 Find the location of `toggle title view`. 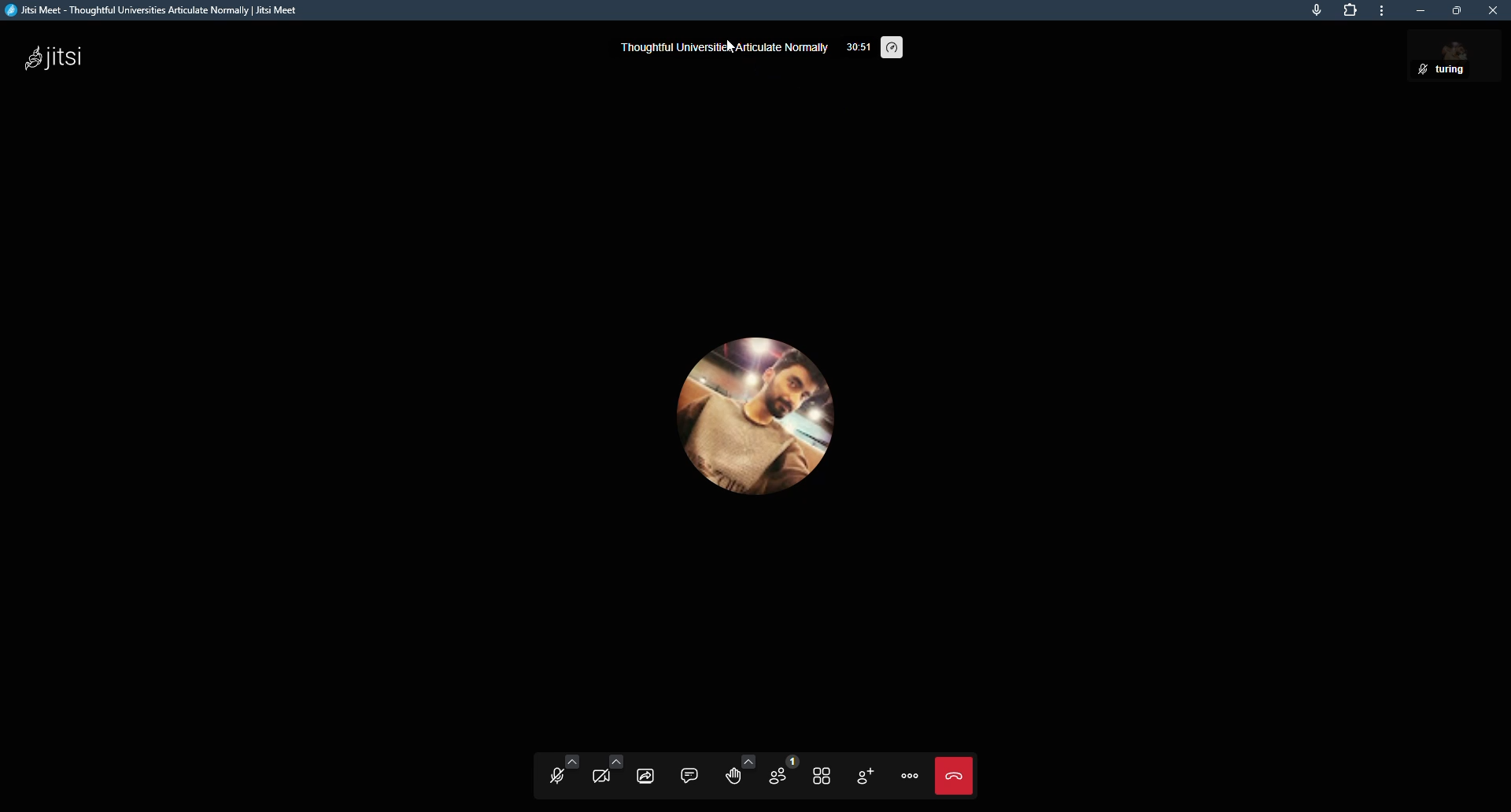

toggle title view is located at coordinates (822, 775).